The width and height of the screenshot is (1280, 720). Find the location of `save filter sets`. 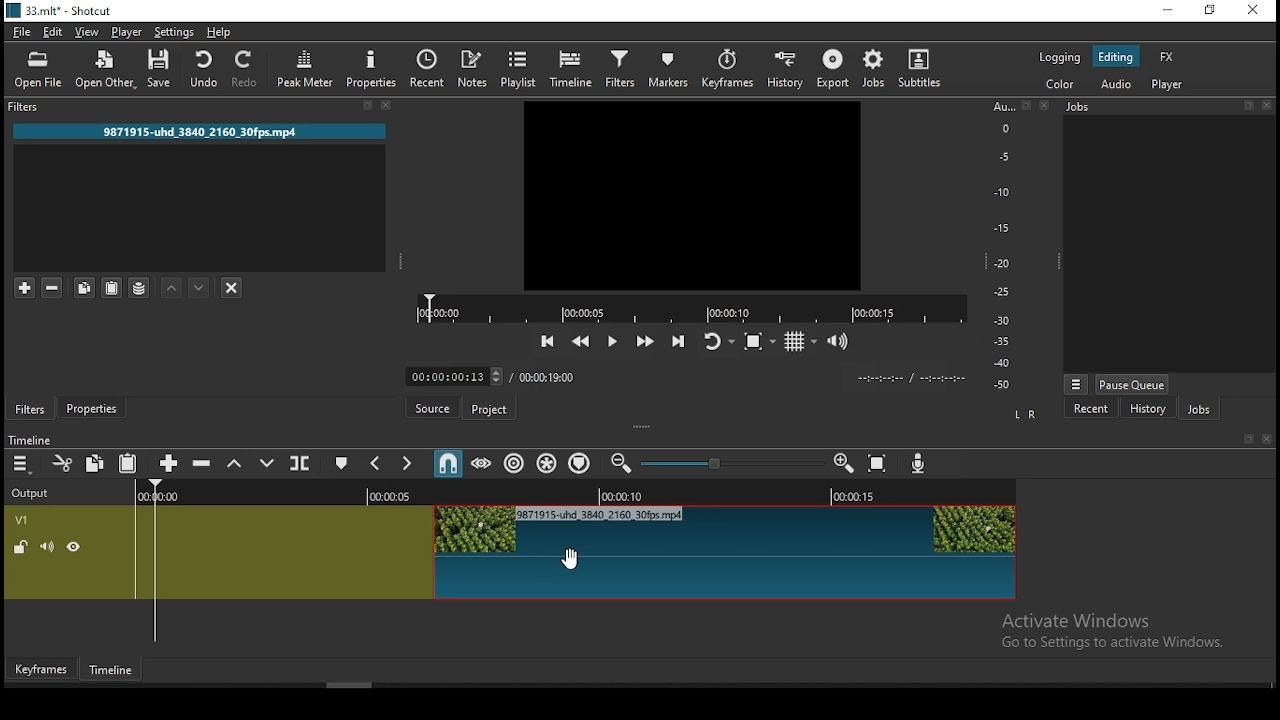

save filter sets is located at coordinates (141, 286).